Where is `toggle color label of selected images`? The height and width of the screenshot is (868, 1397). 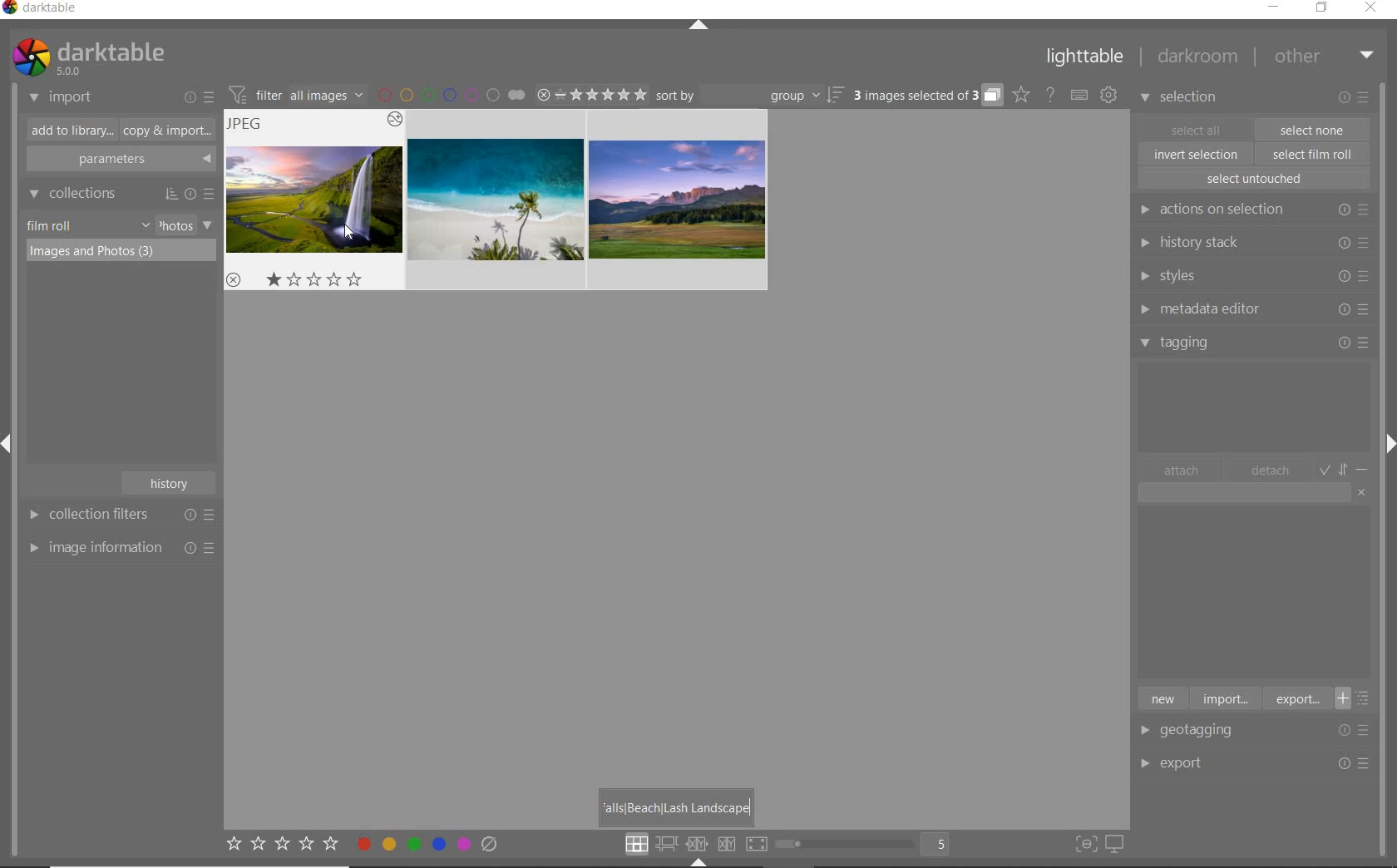
toggle color label of selected images is located at coordinates (428, 843).